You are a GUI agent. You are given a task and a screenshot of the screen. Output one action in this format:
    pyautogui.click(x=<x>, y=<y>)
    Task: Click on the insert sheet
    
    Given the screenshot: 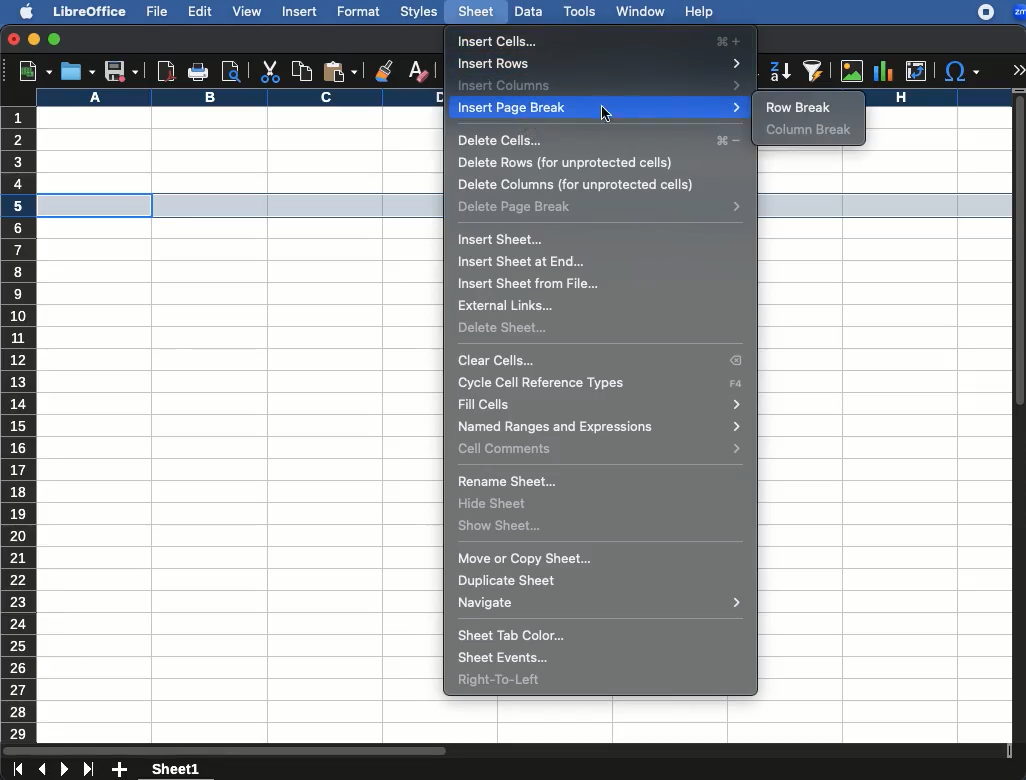 What is the action you would take?
    pyautogui.click(x=503, y=240)
    